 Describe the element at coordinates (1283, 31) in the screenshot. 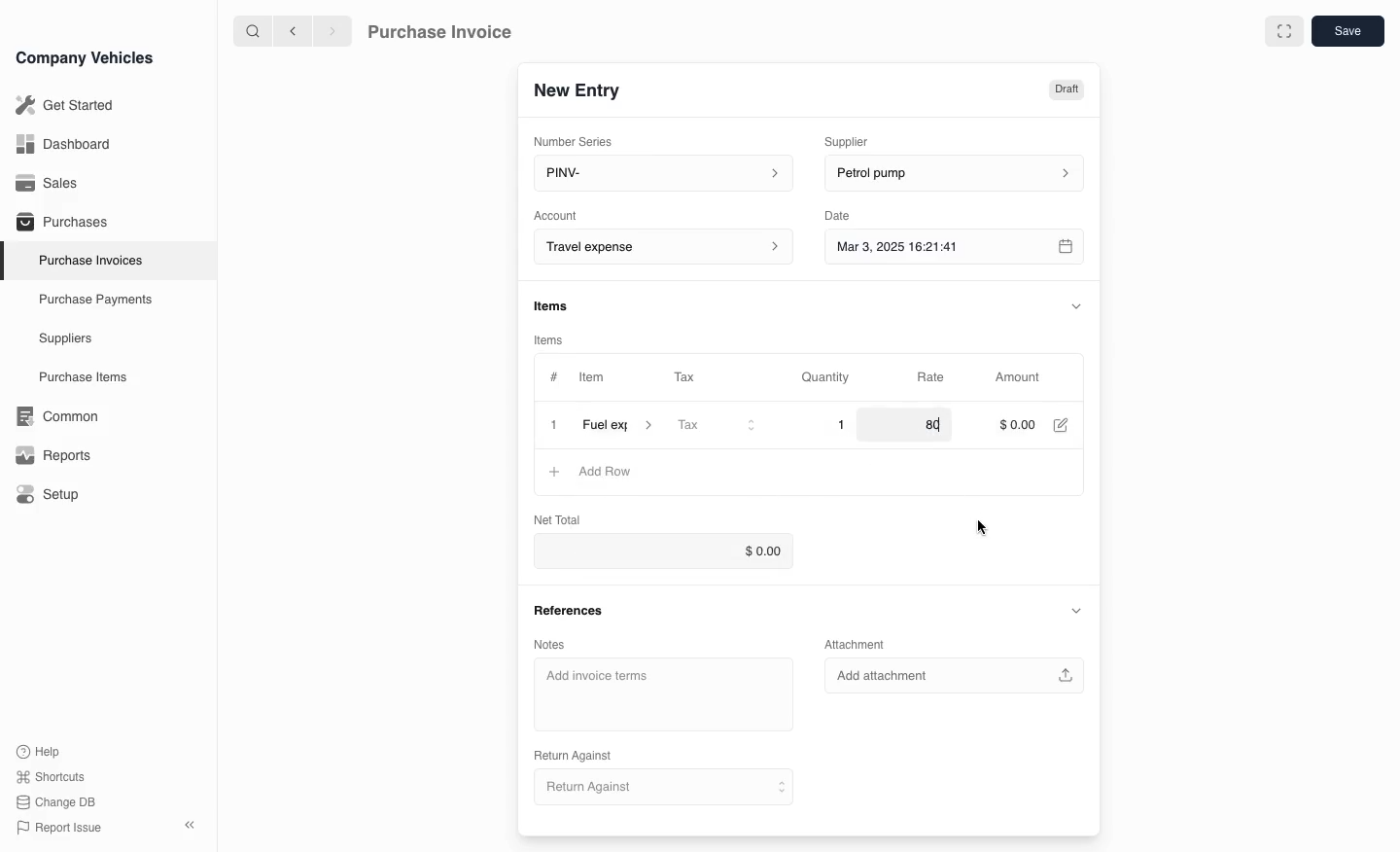

I see `full screen` at that location.